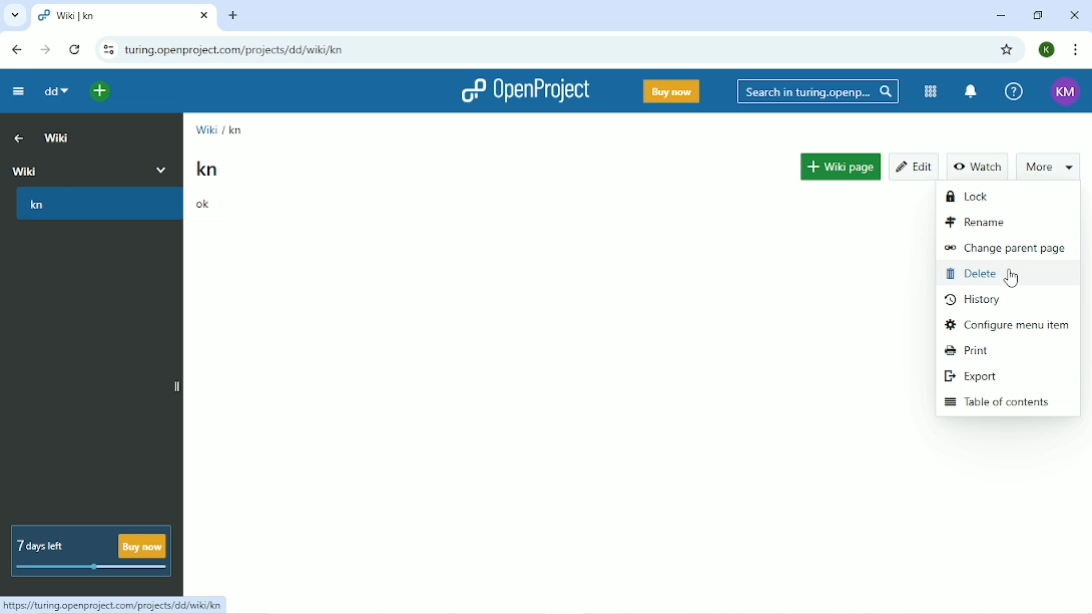  I want to click on ok, so click(203, 205).